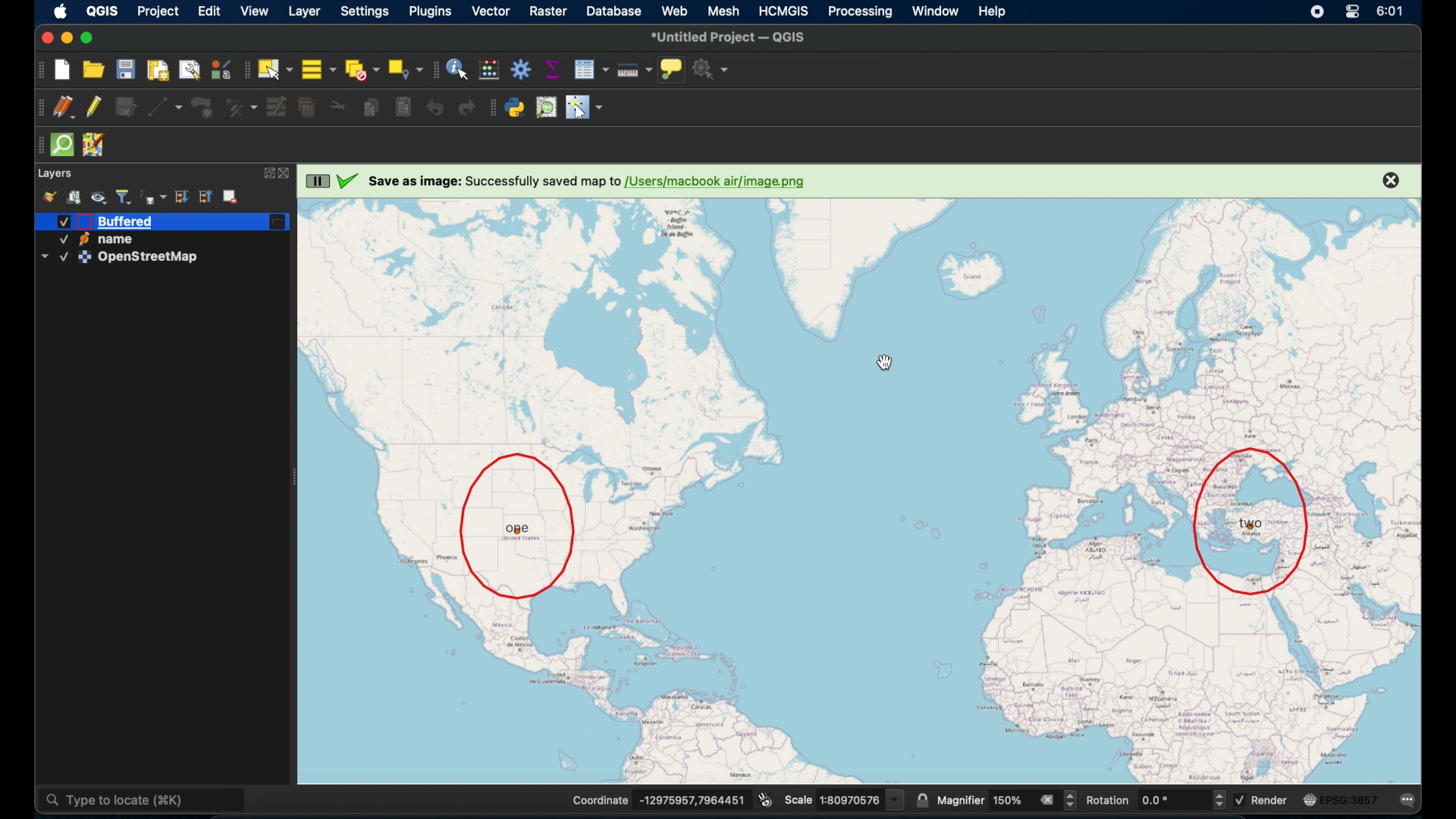  I want to click on no action selected, so click(713, 69).